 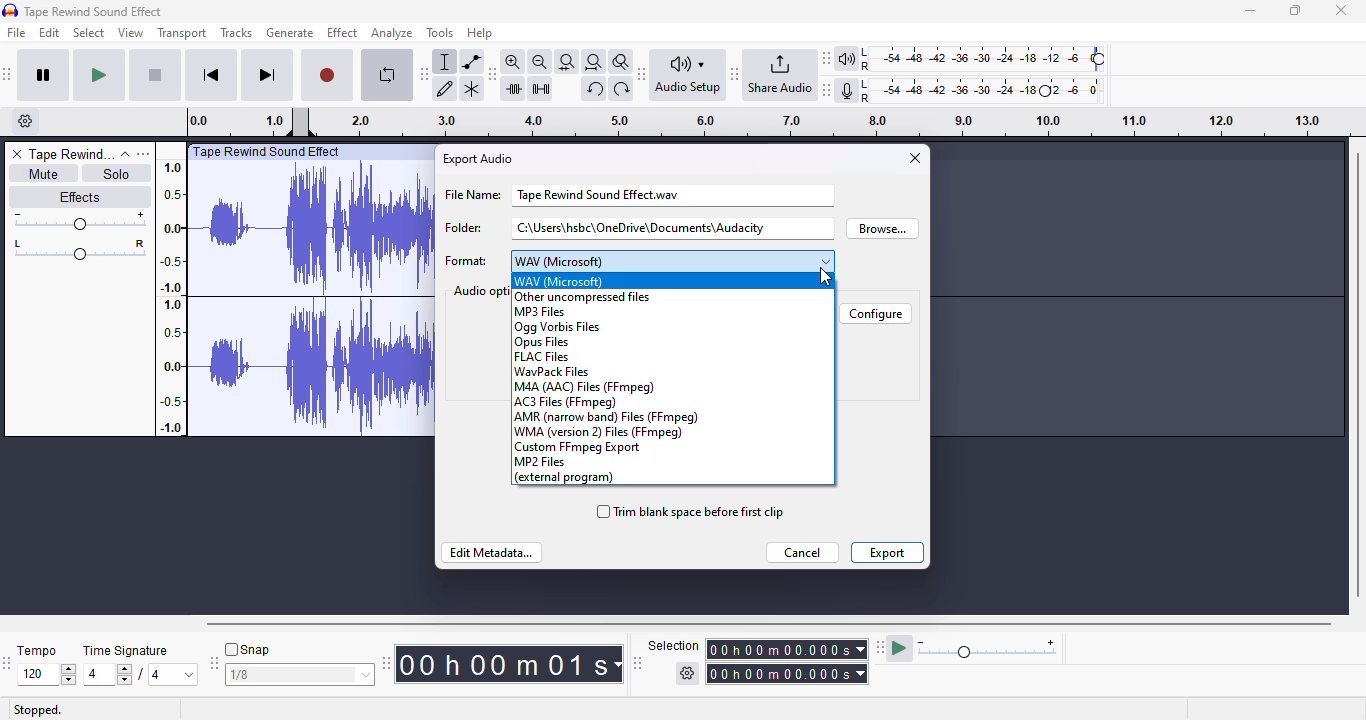 I want to click on zoom in, so click(x=512, y=61).